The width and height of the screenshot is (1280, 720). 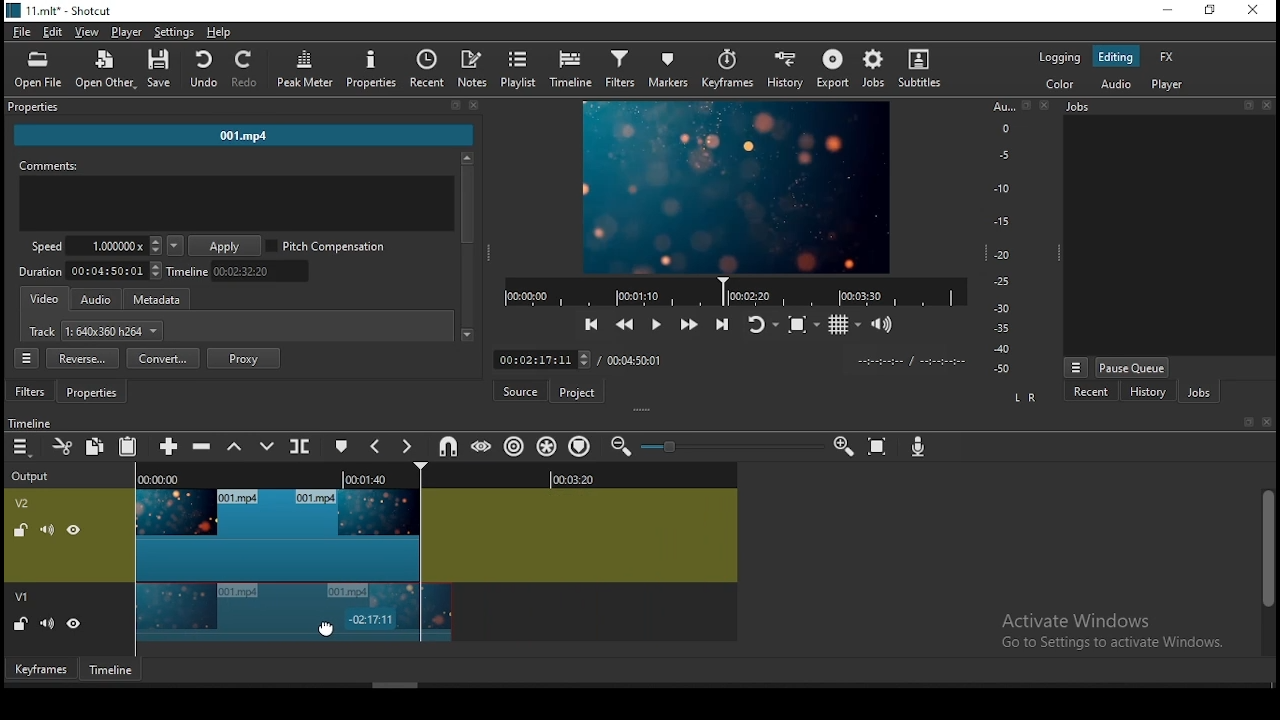 What do you see at coordinates (91, 270) in the screenshot?
I see `track duration` at bounding box center [91, 270].